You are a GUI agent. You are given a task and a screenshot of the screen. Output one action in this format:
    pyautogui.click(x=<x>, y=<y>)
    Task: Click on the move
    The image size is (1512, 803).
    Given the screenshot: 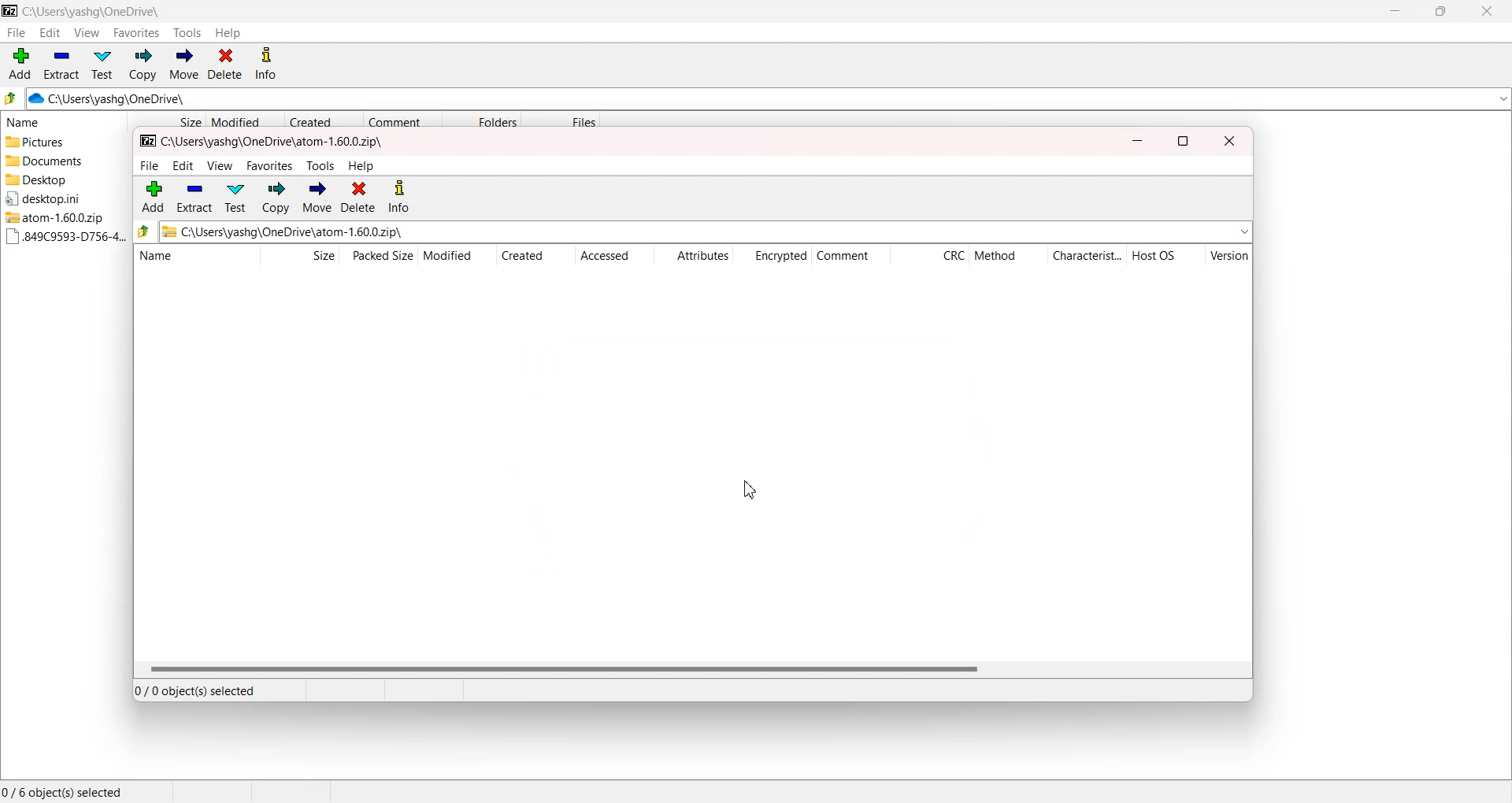 What is the action you would take?
    pyautogui.click(x=317, y=198)
    